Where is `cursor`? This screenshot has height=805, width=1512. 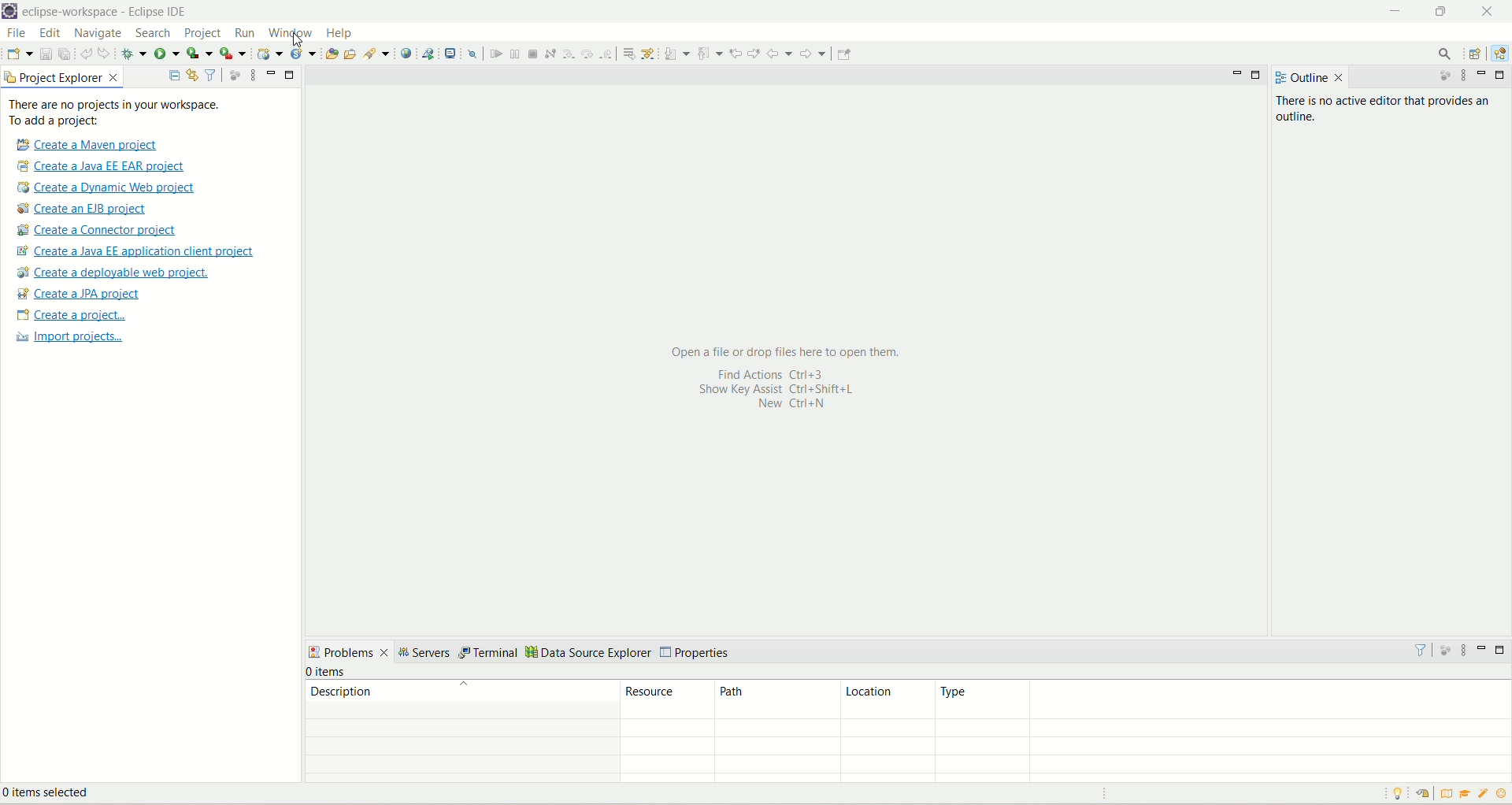
cursor is located at coordinates (298, 42).